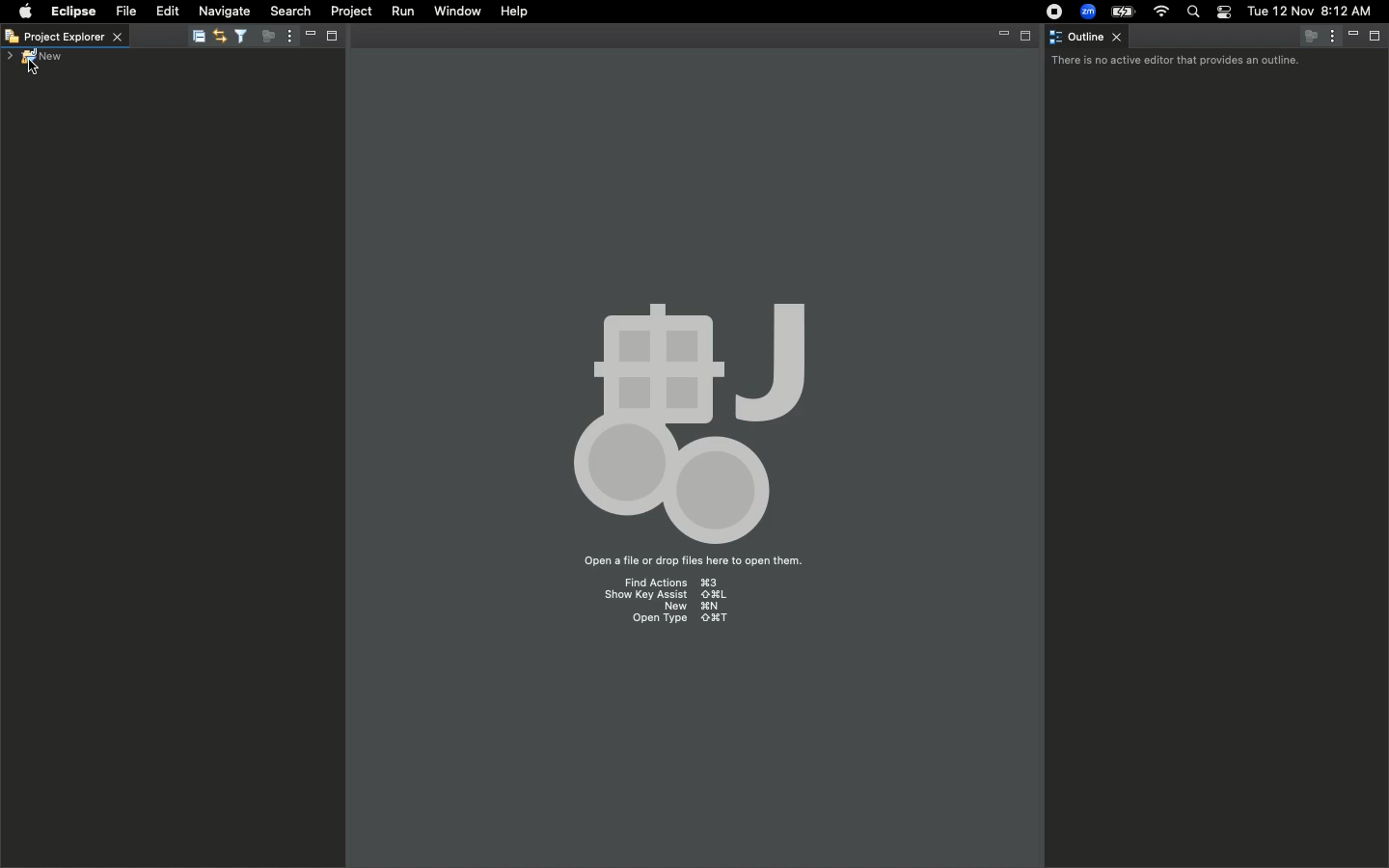  What do you see at coordinates (693, 608) in the screenshot?
I see `New` at bounding box center [693, 608].